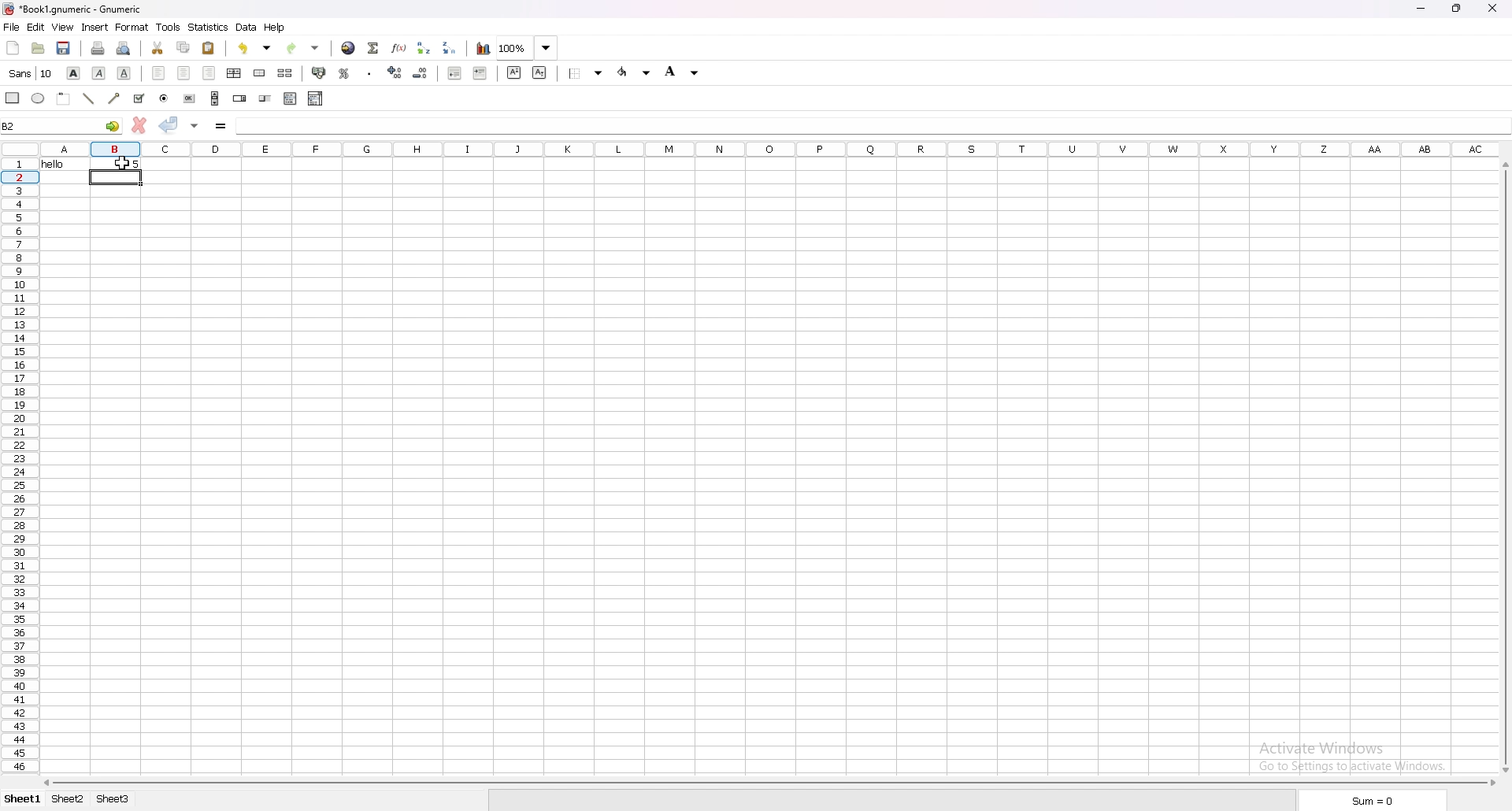  Describe the element at coordinates (72, 72) in the screenshot. I see `bold` at that location.